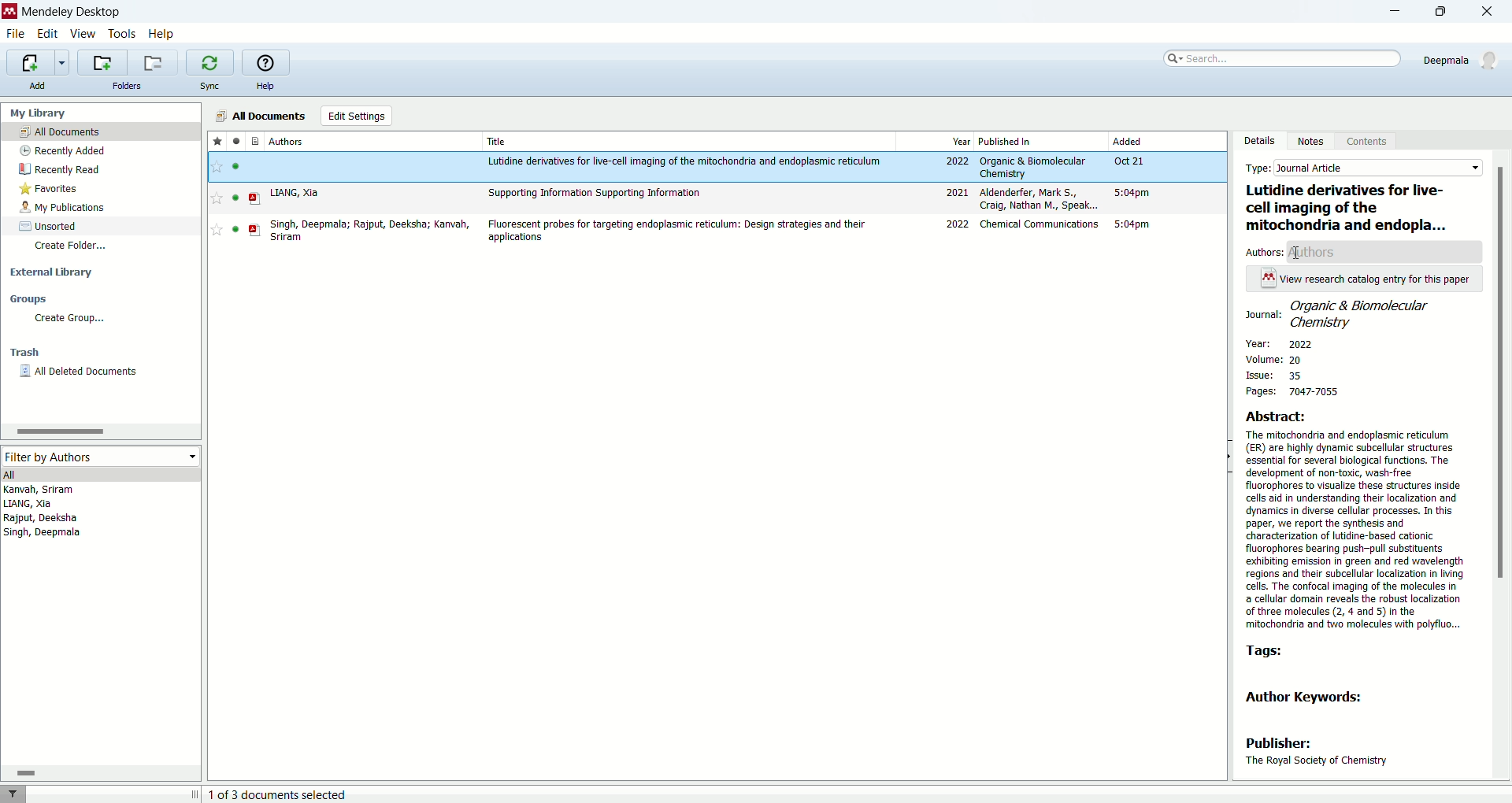  I want to click on all documnets, so click(259, 116).